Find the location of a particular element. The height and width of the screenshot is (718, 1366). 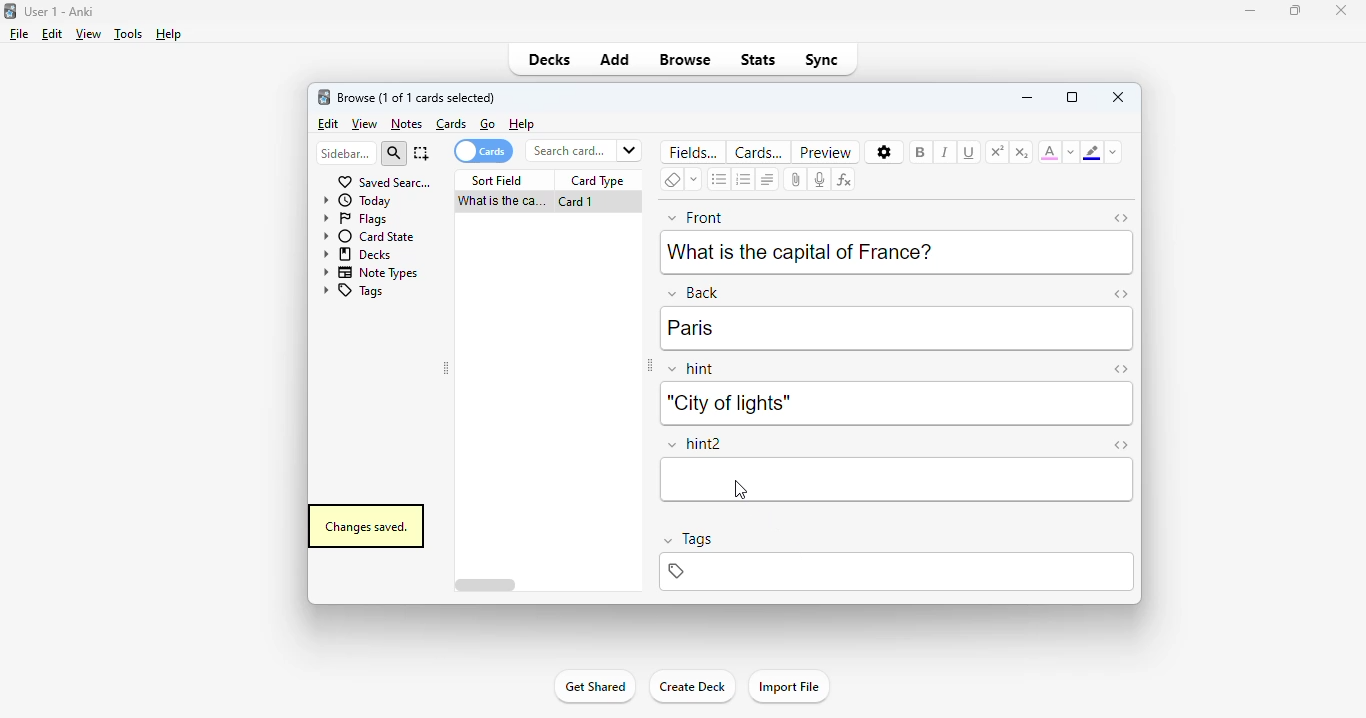

front is located at coordinates (696, 216).